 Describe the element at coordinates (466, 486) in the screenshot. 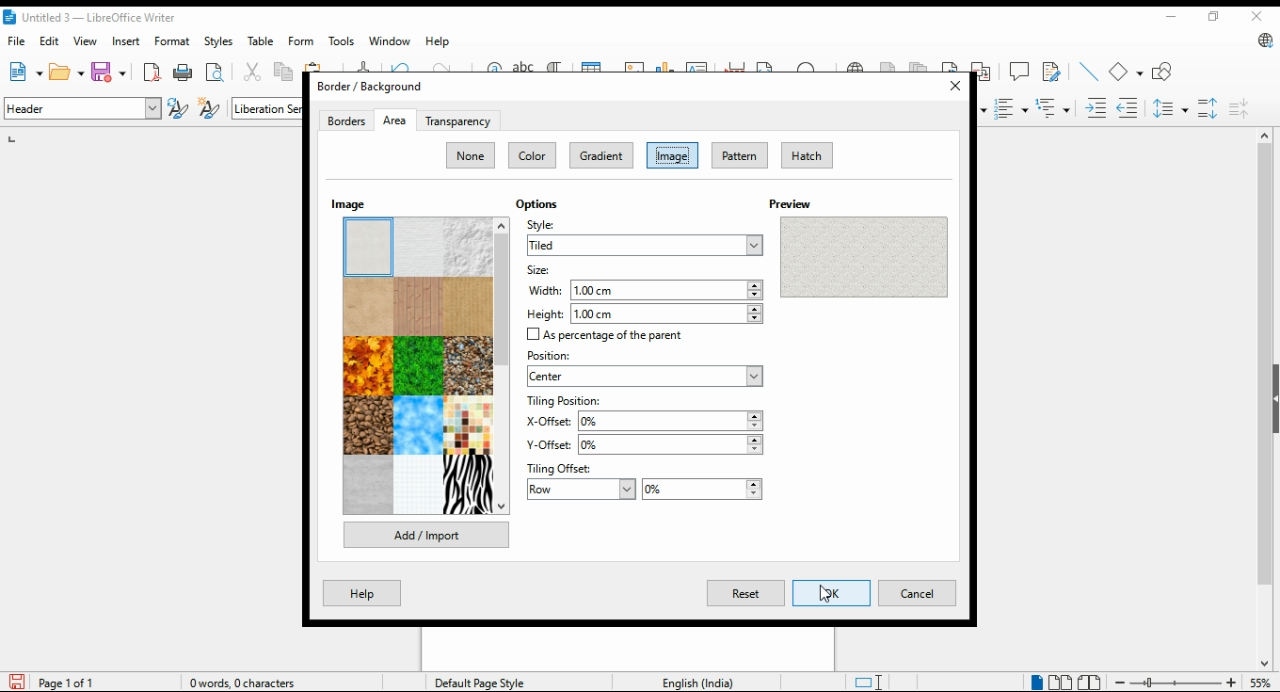

I see `image option 15` at that location.